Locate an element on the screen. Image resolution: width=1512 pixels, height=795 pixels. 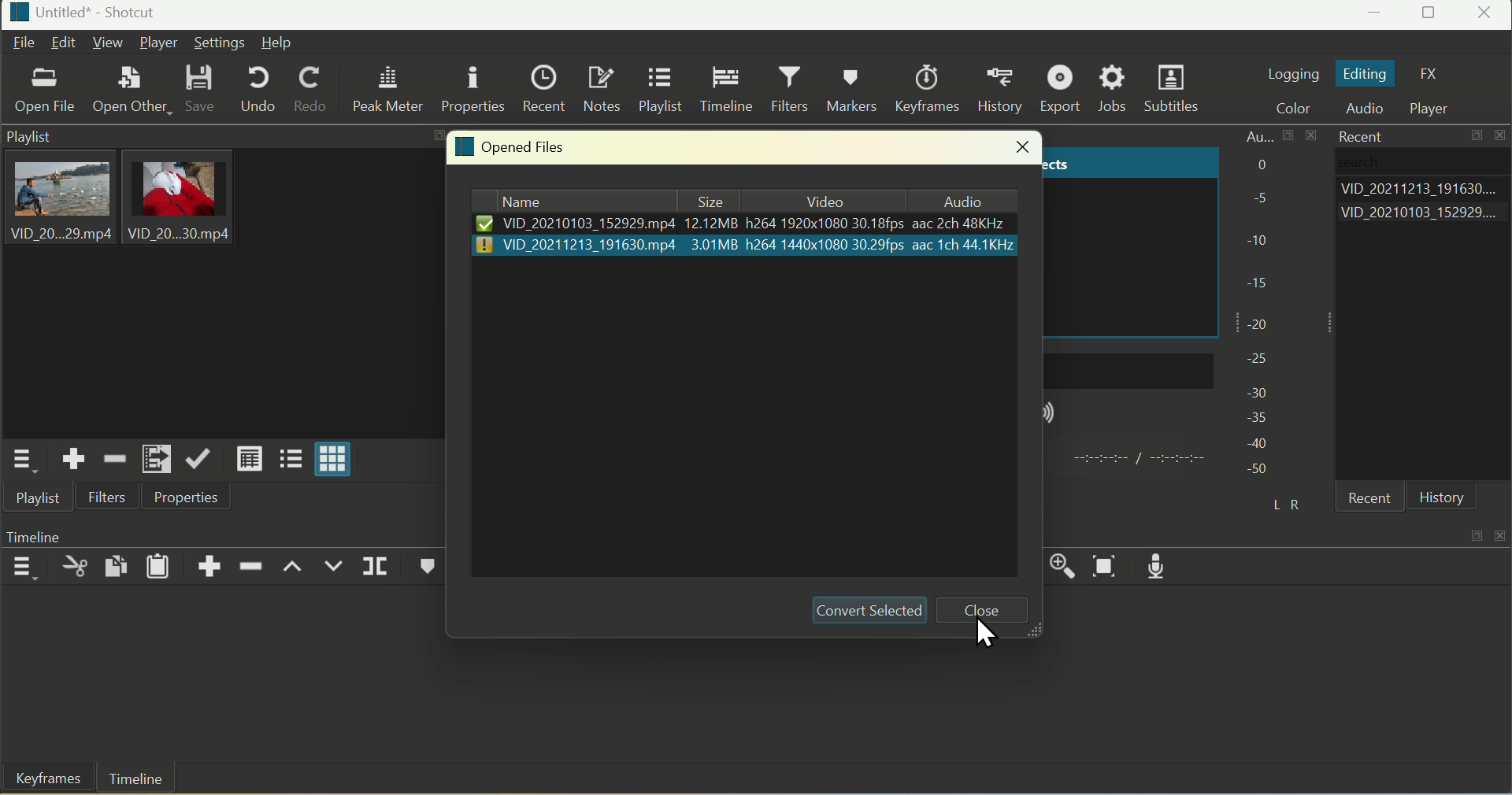
L R is located at coordinates (1283, 501).